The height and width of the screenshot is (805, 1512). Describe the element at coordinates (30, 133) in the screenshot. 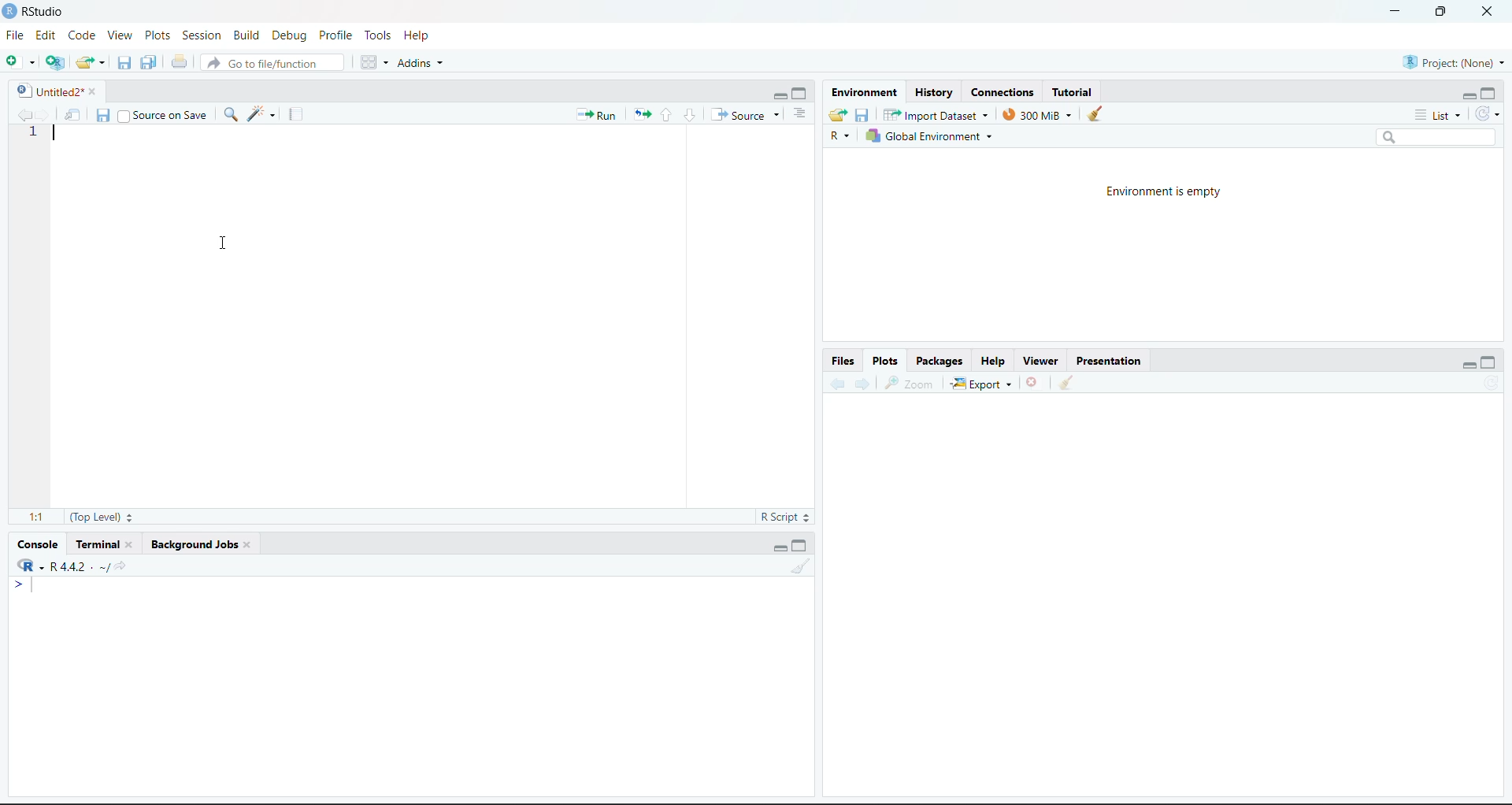

I see `1` at that location.